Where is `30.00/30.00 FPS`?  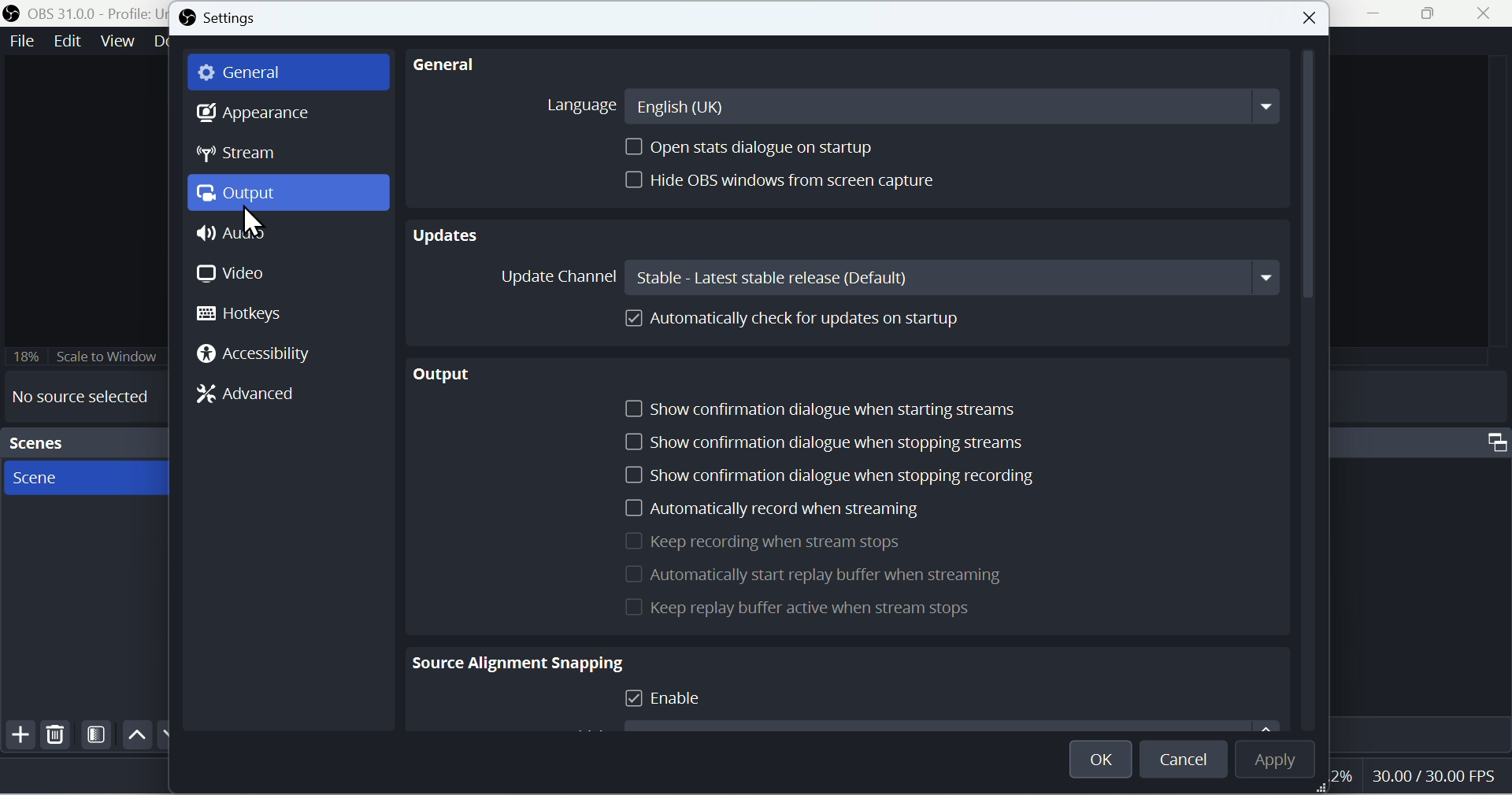 30.00/30.00 FPS is located at coordinates (1429, 775).